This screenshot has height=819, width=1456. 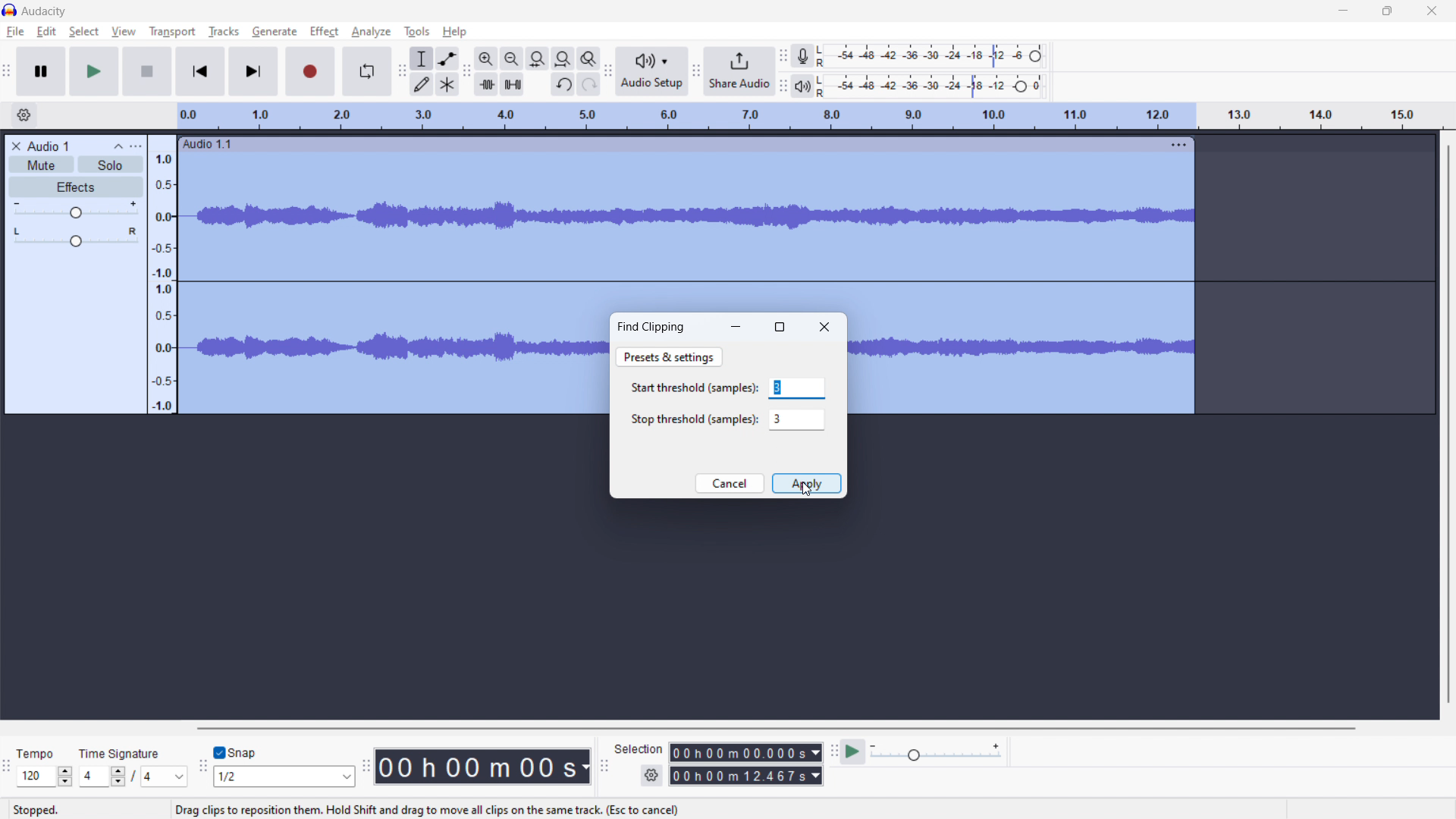 I want to click on zoom in, so click(x=486, y=58).